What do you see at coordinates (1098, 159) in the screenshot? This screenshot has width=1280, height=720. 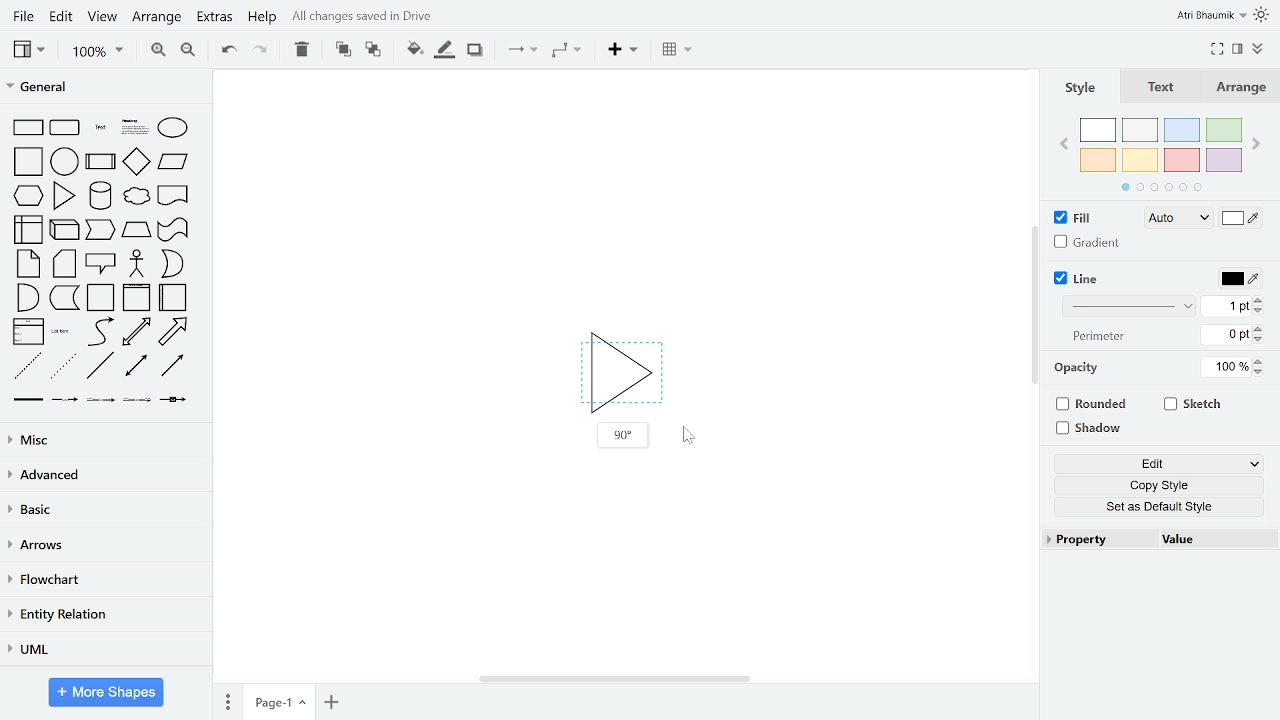 I see `orange` at bounding box center [1098, 159].